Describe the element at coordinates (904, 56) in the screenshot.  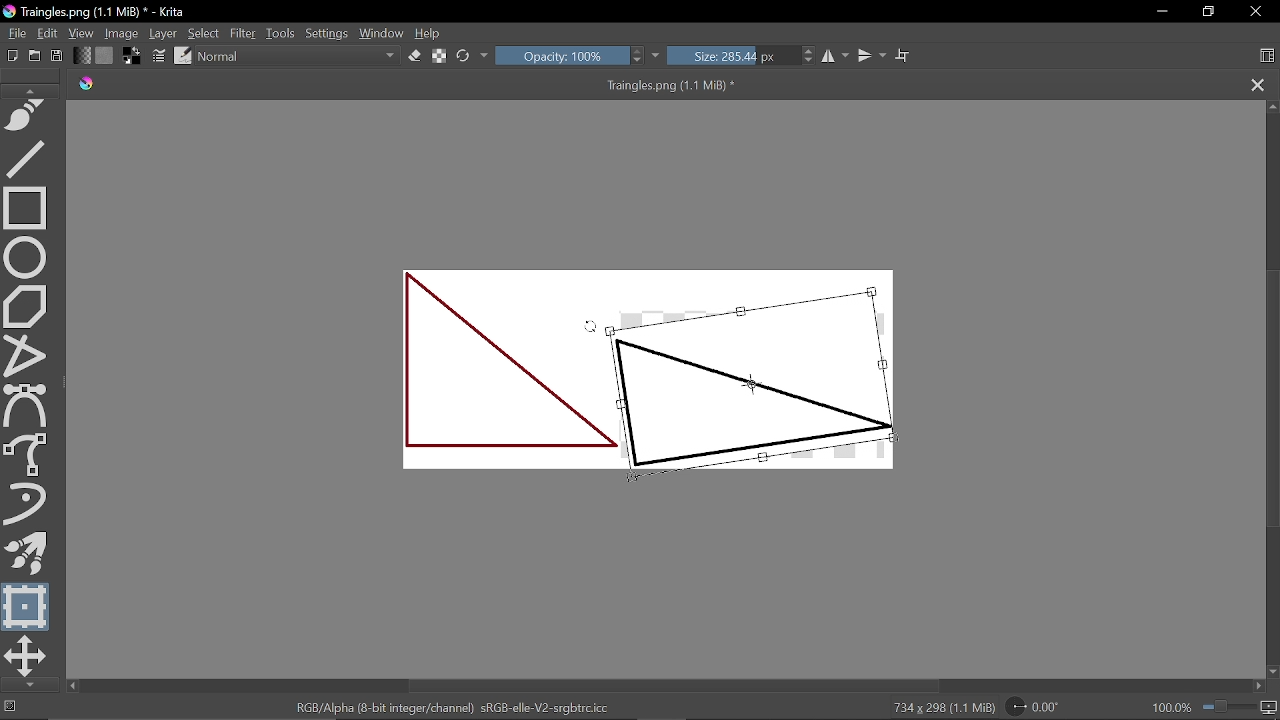
I see `Wrap text tool` at that location.